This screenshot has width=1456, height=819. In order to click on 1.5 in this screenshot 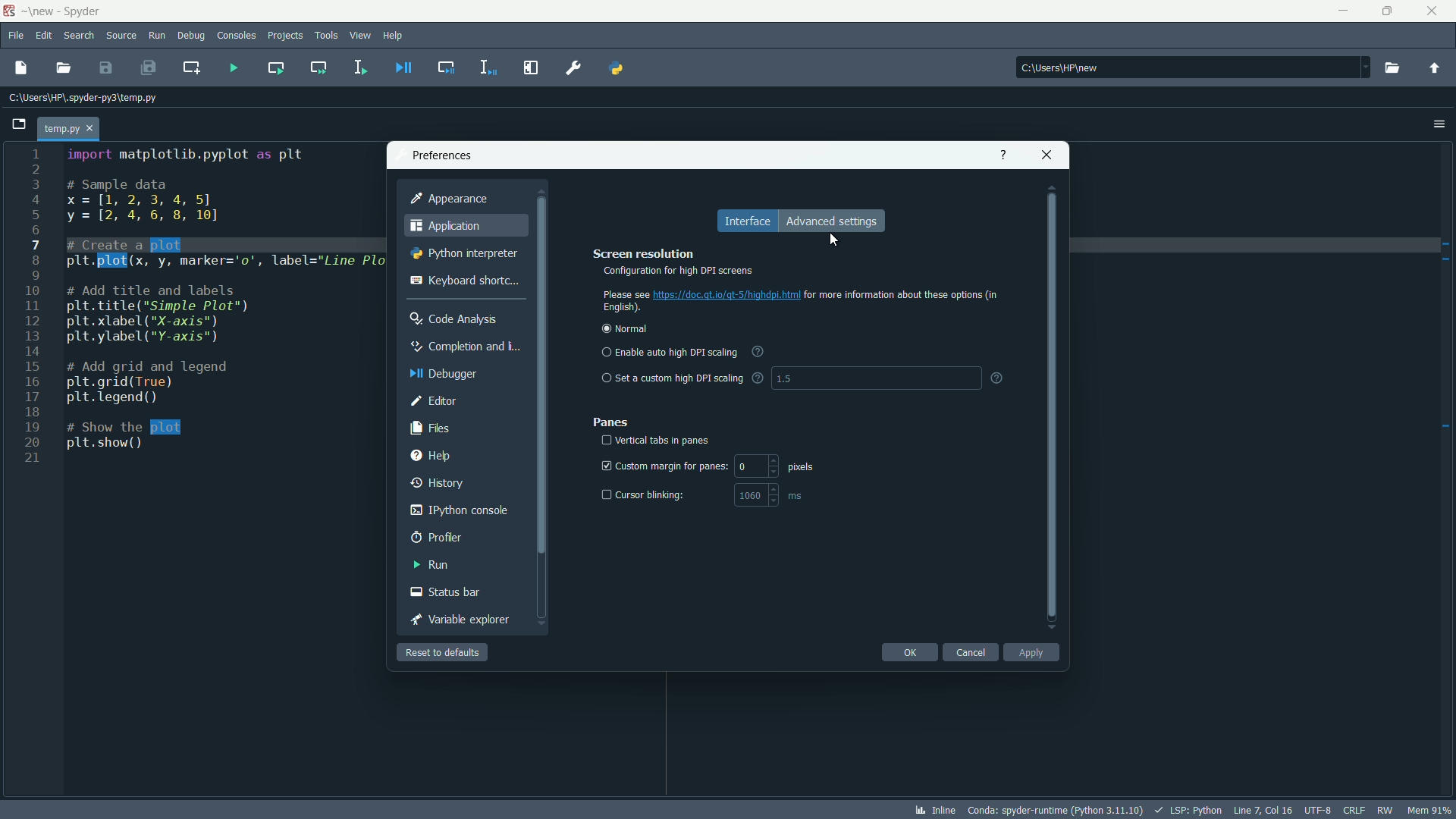, I will do `click(784, 379)`.